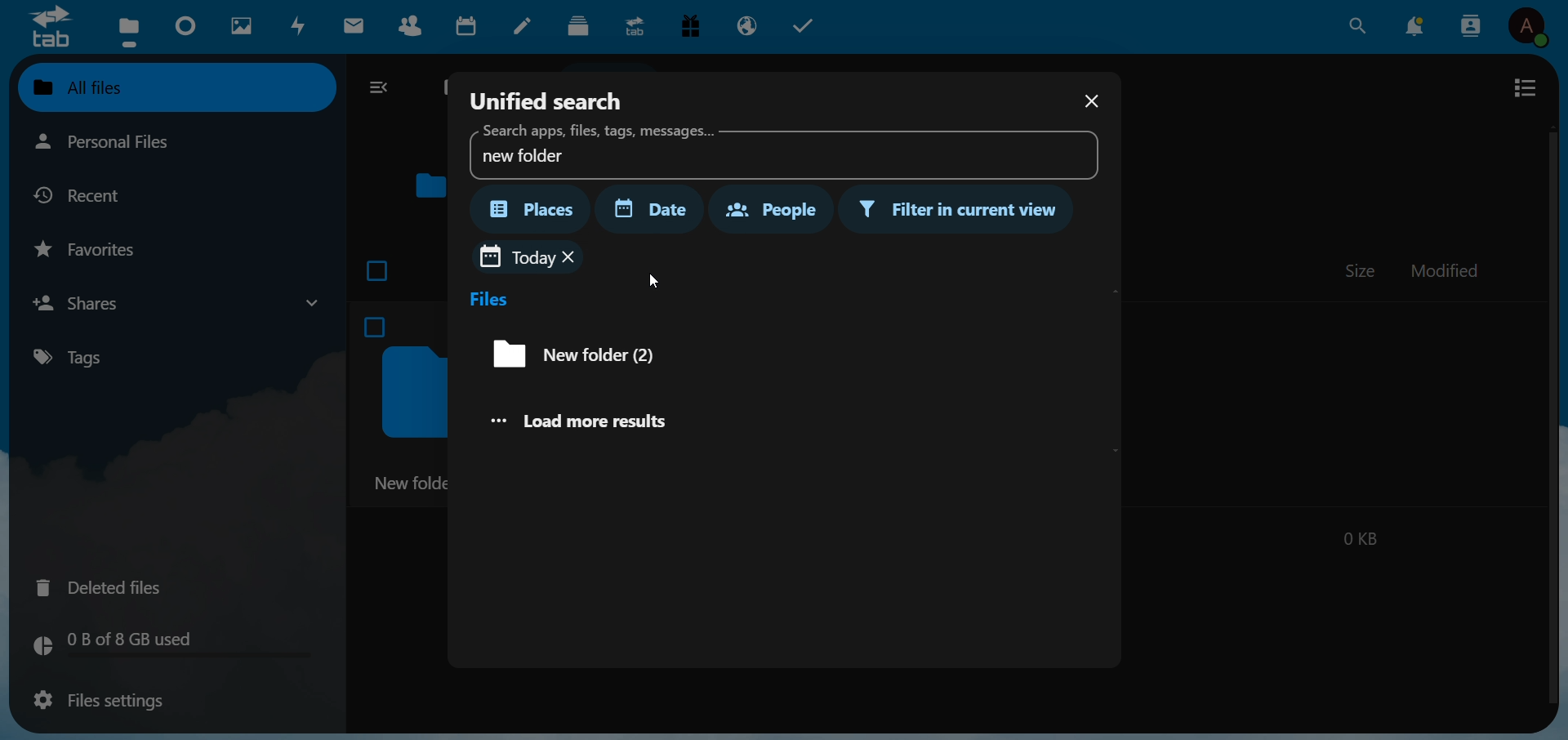 Image resolution: width=1568 pixels, height=740 pixels. Describe the element at coordinates (526, 27) in the screenshot. I see `notes` at that location.